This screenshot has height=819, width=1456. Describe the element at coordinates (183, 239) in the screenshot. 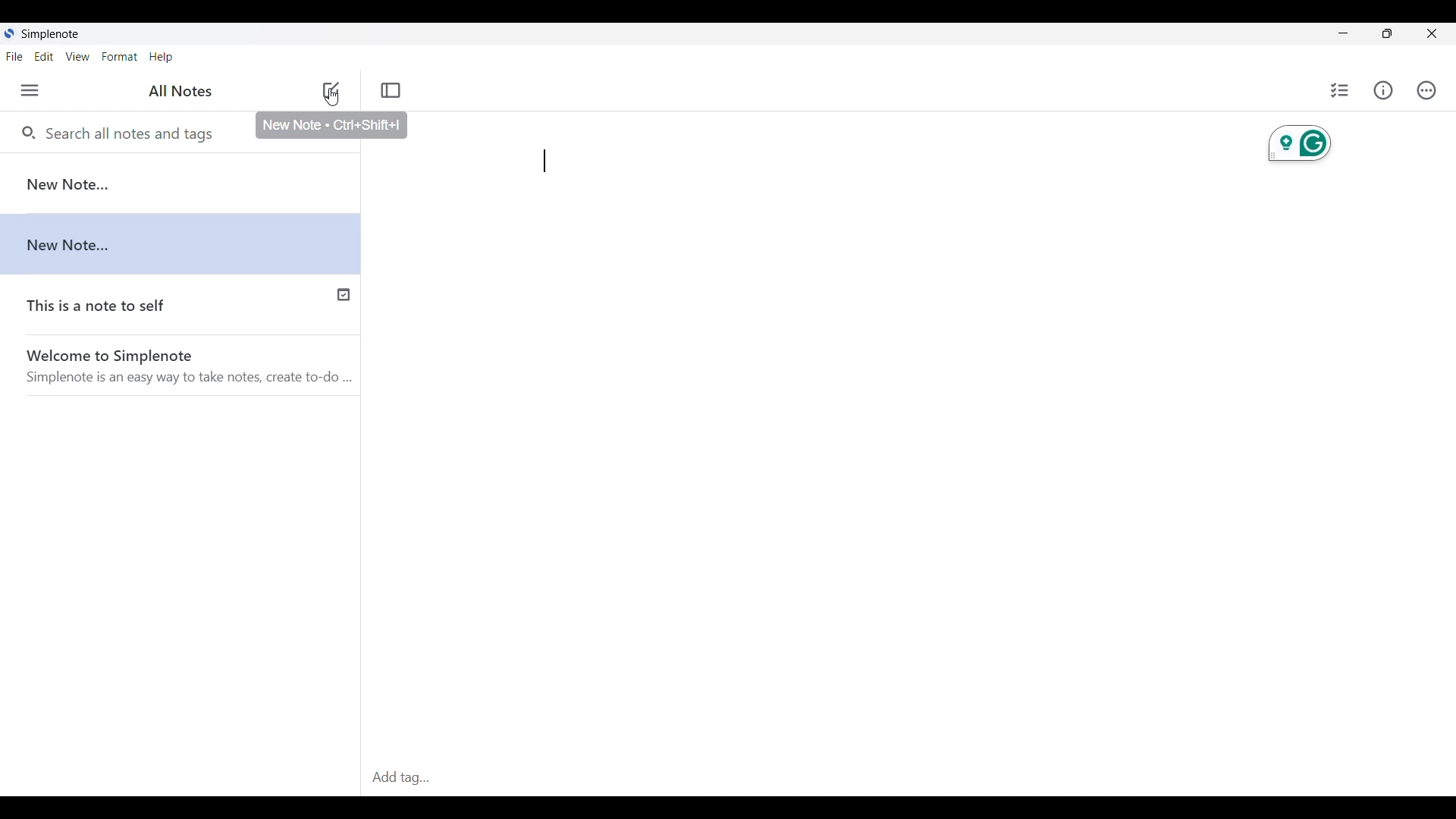

I see `New Note..` at that location.